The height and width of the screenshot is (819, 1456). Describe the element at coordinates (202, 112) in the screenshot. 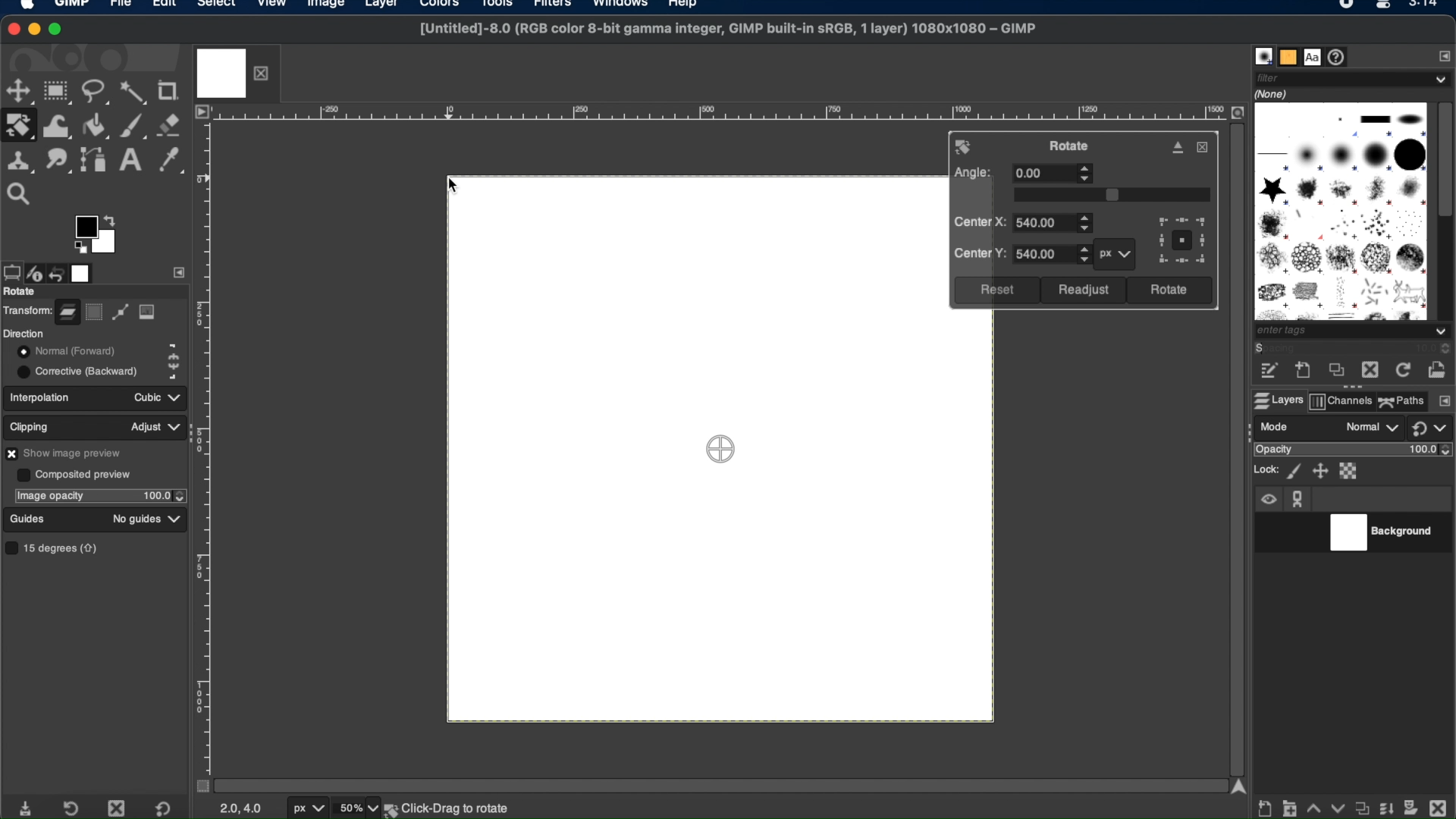

I see `access image menu` at that location.